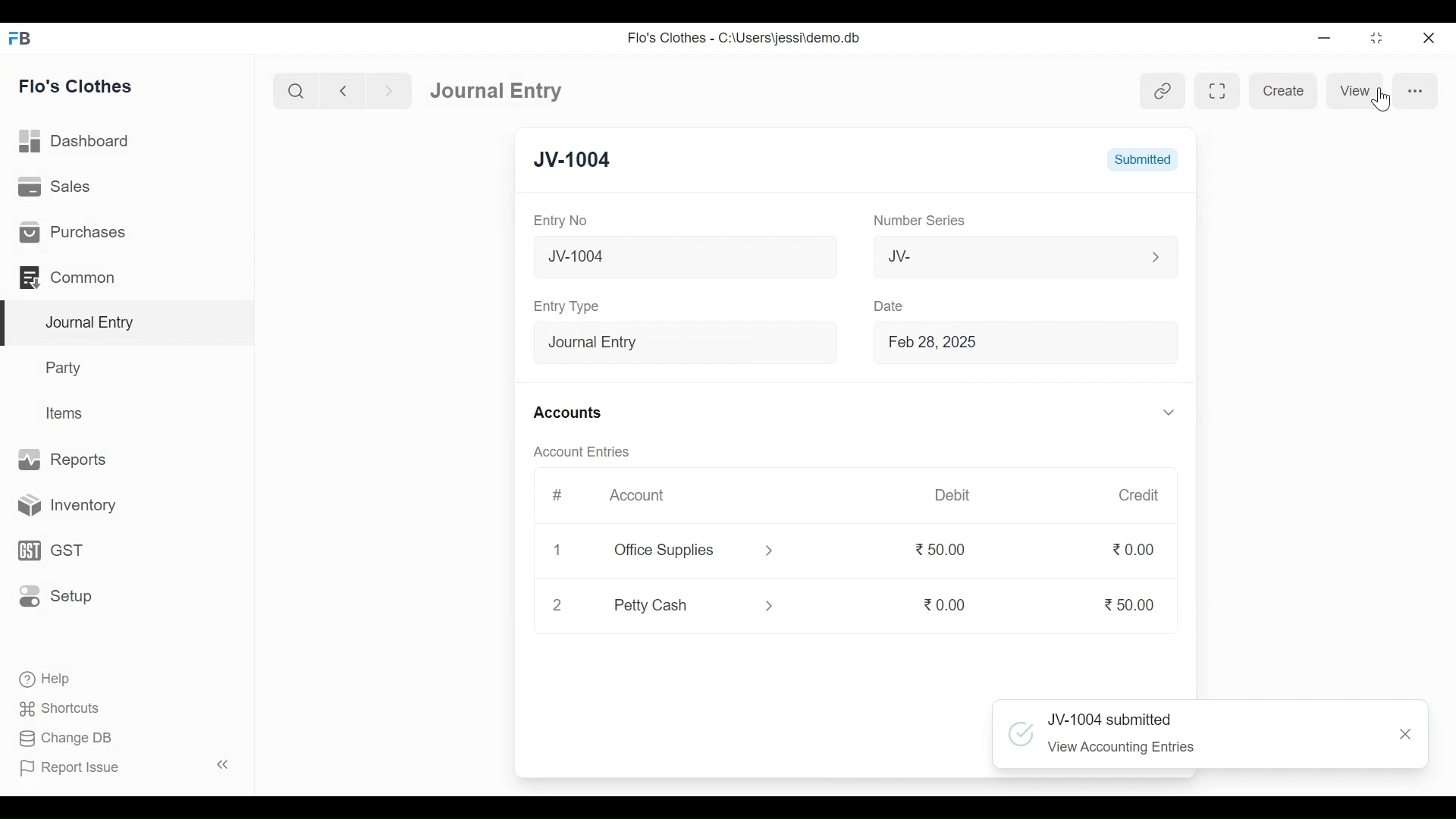 The image size is (1456, 819). I want to click on Accounts, so click(567, 413).